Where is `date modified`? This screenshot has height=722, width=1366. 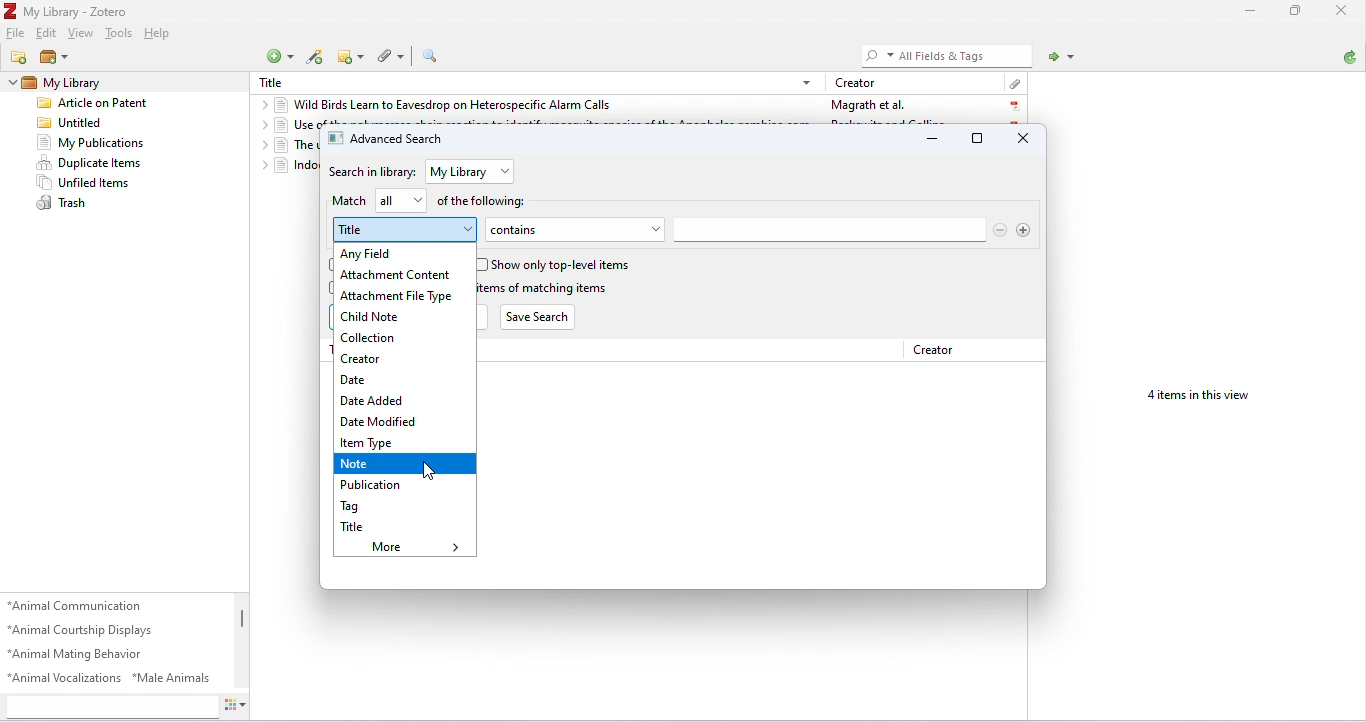
date modified is located at coordinates (380, 422).